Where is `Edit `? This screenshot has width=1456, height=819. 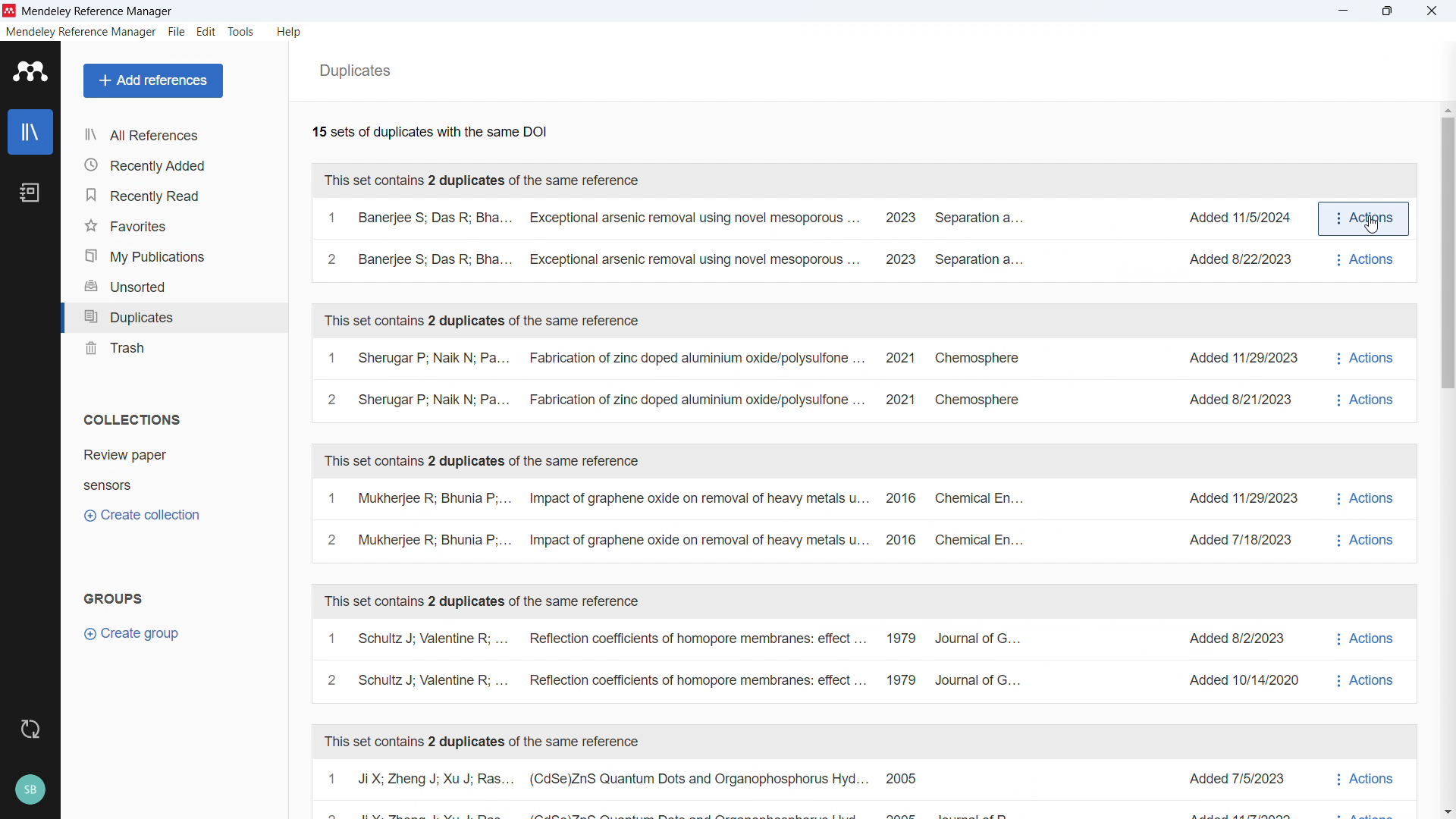
Edit  is located at coordinates (207, 32).